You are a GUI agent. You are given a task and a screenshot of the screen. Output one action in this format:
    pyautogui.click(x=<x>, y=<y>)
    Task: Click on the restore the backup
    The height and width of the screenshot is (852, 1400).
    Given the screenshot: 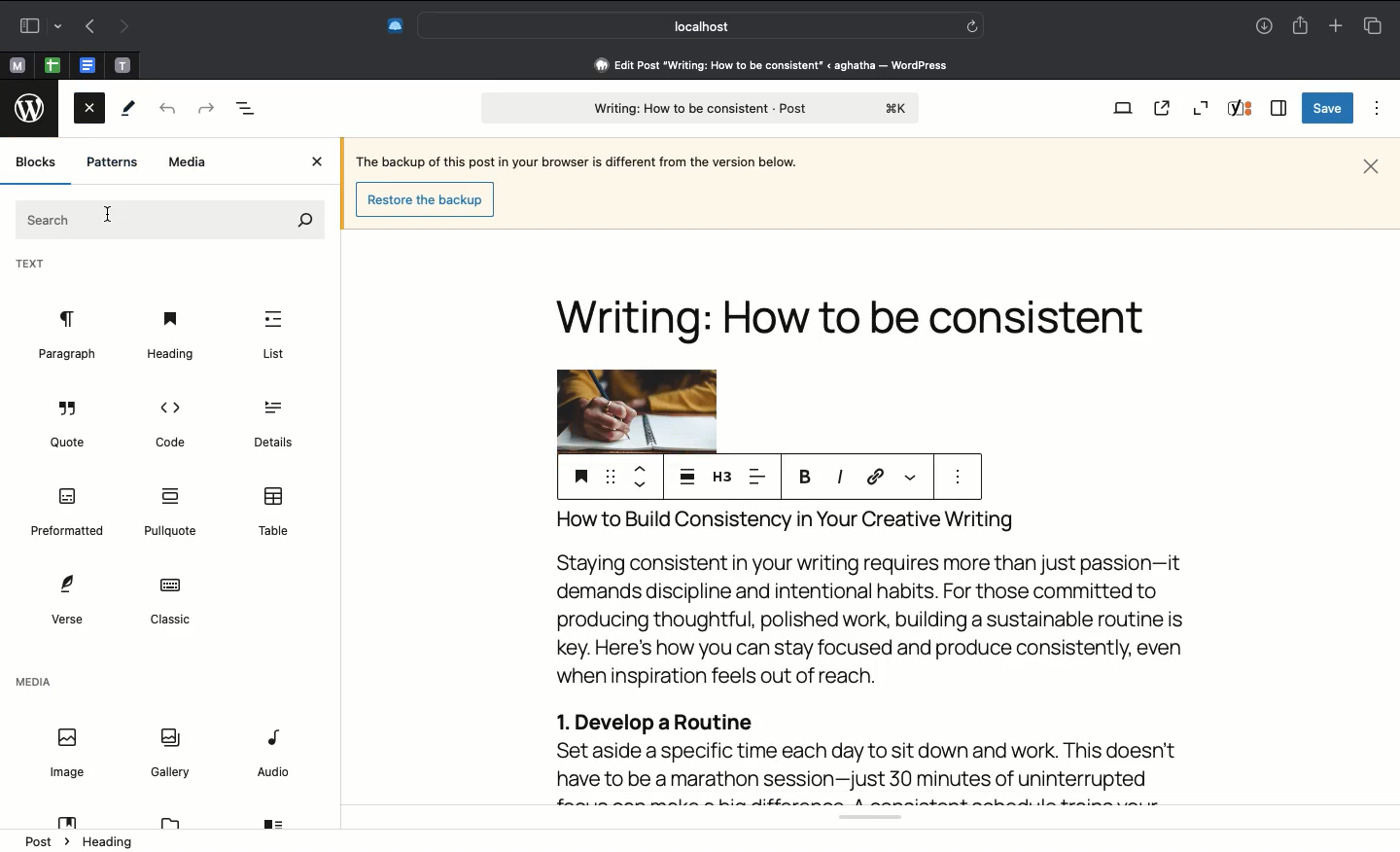 What is the action you would take?
    pyautogui.click(x=428, y=199)
    